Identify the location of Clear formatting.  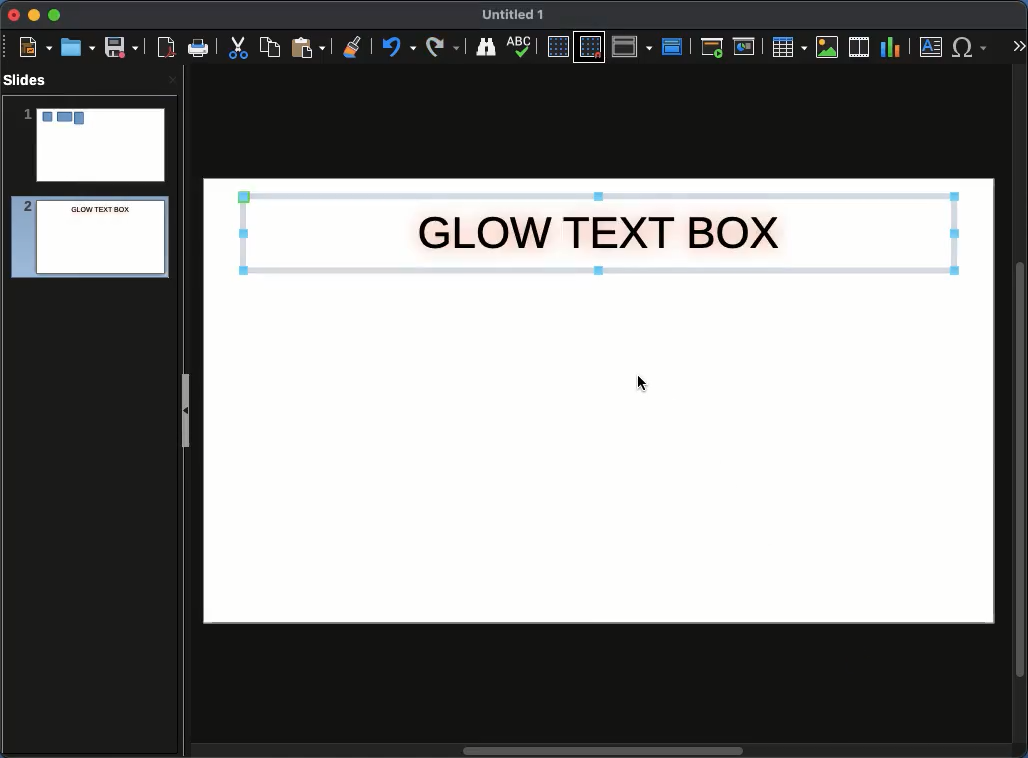
(353, 45).